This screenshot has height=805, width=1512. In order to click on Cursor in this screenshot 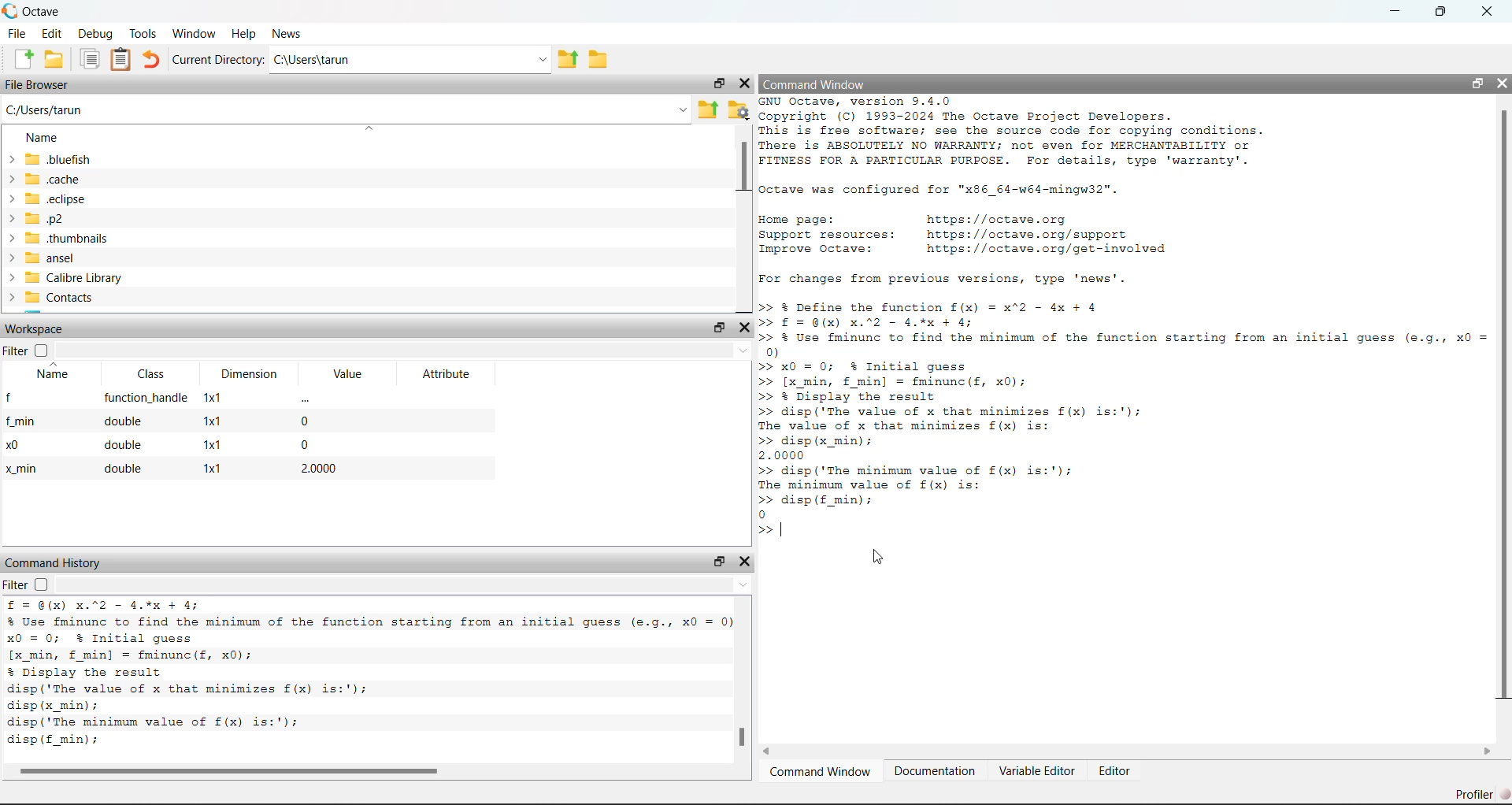, I will do `click(884, 557)`.